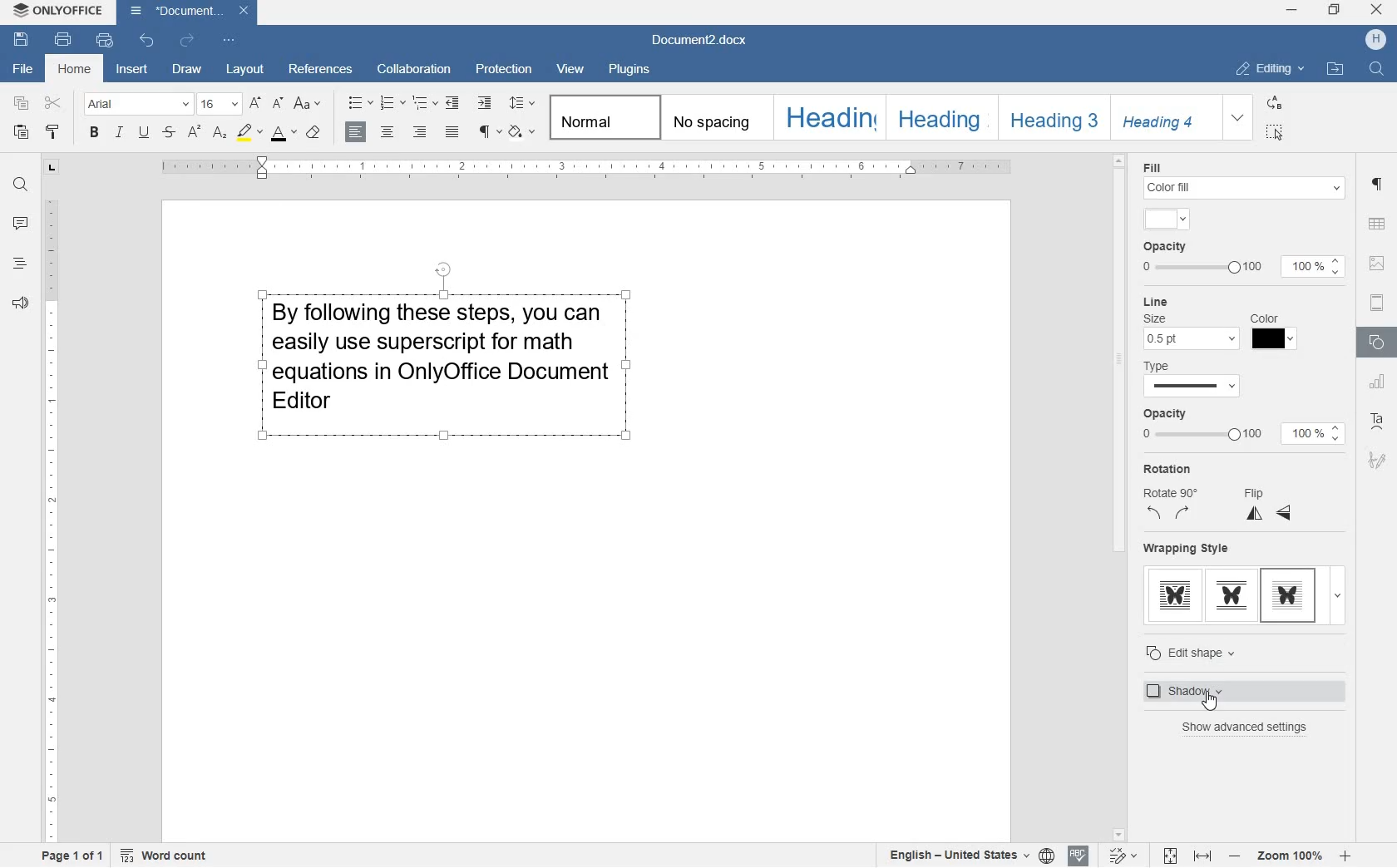 This screenshot has height=868, width=1397. Describe the element at coordinates (187, 72) in the screenshot. I see `draw` at that location.